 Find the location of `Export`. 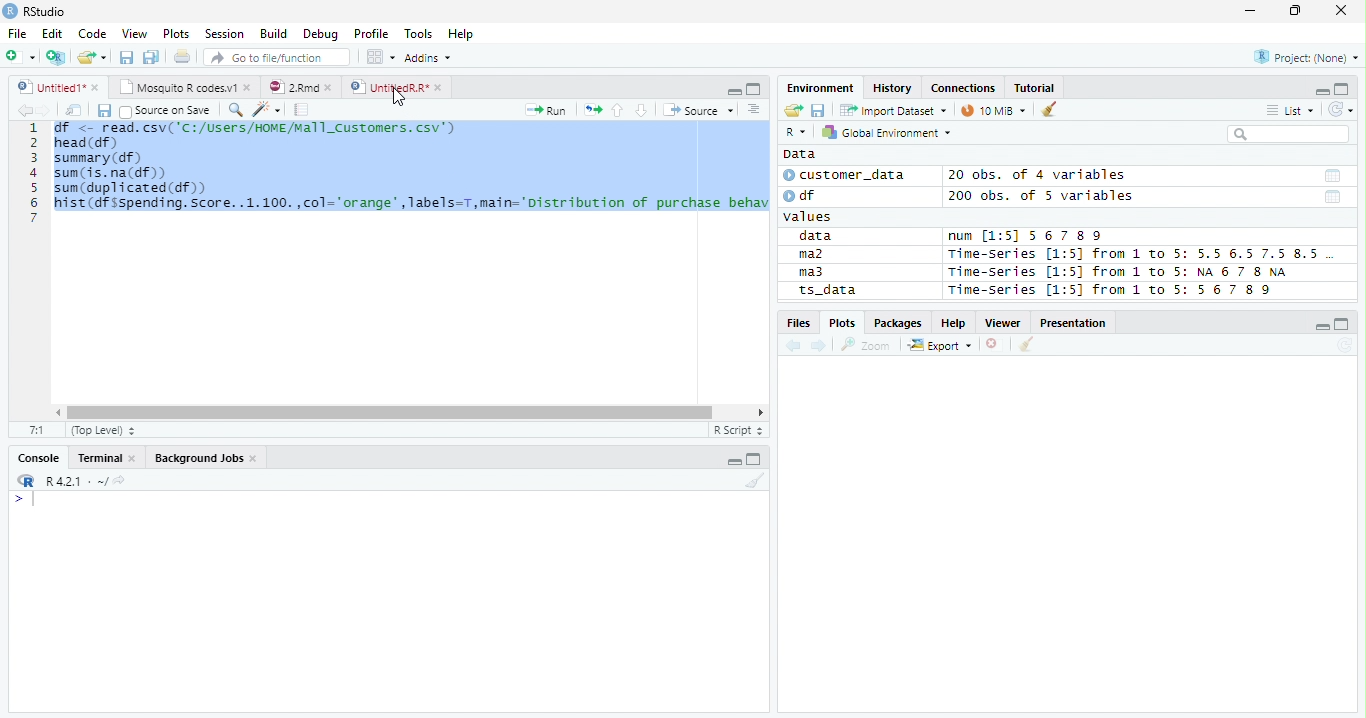

Export is located at coordinates (940, 346).